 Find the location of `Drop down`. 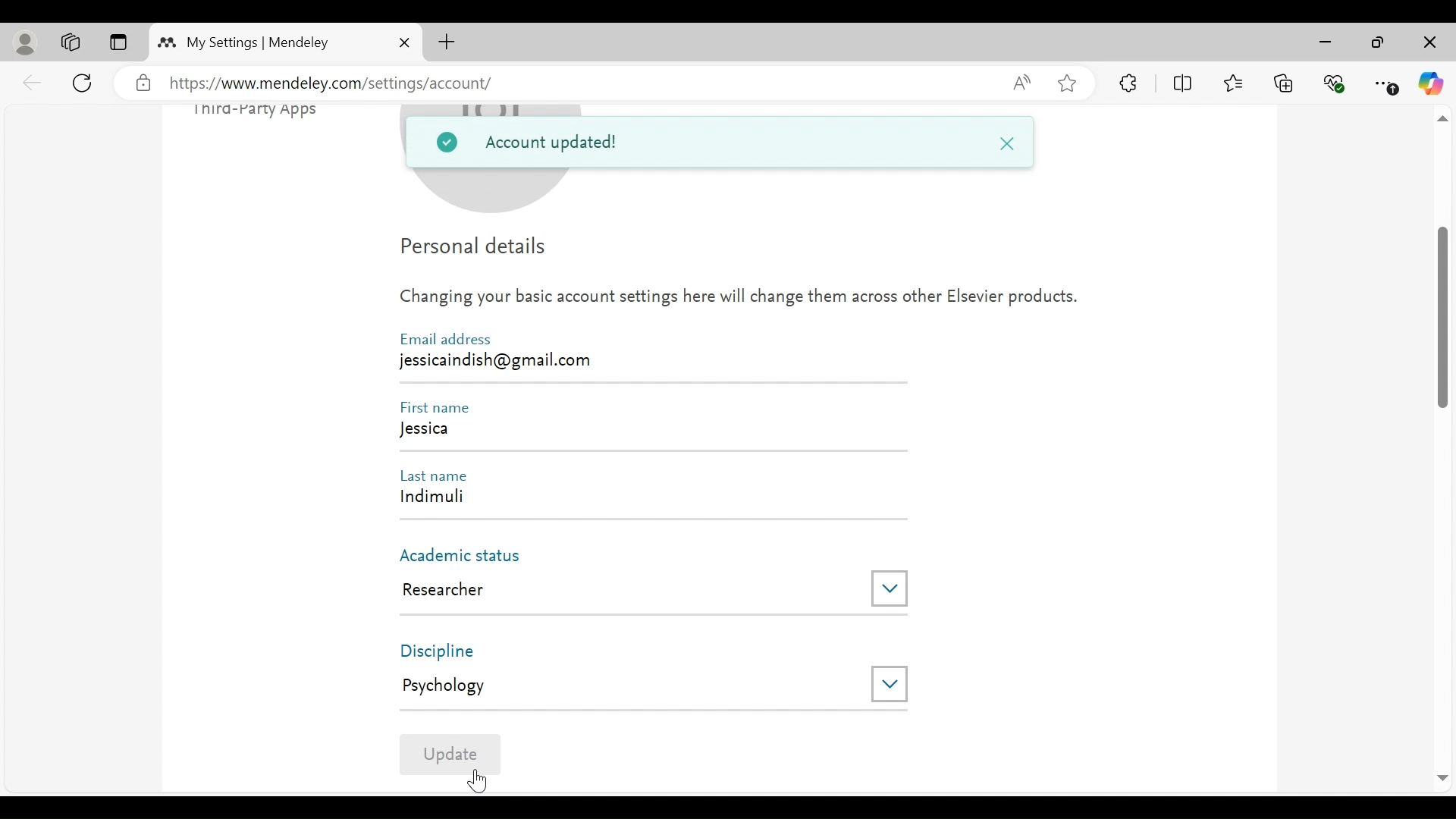

Drop down is located at coordinates (889, 682).